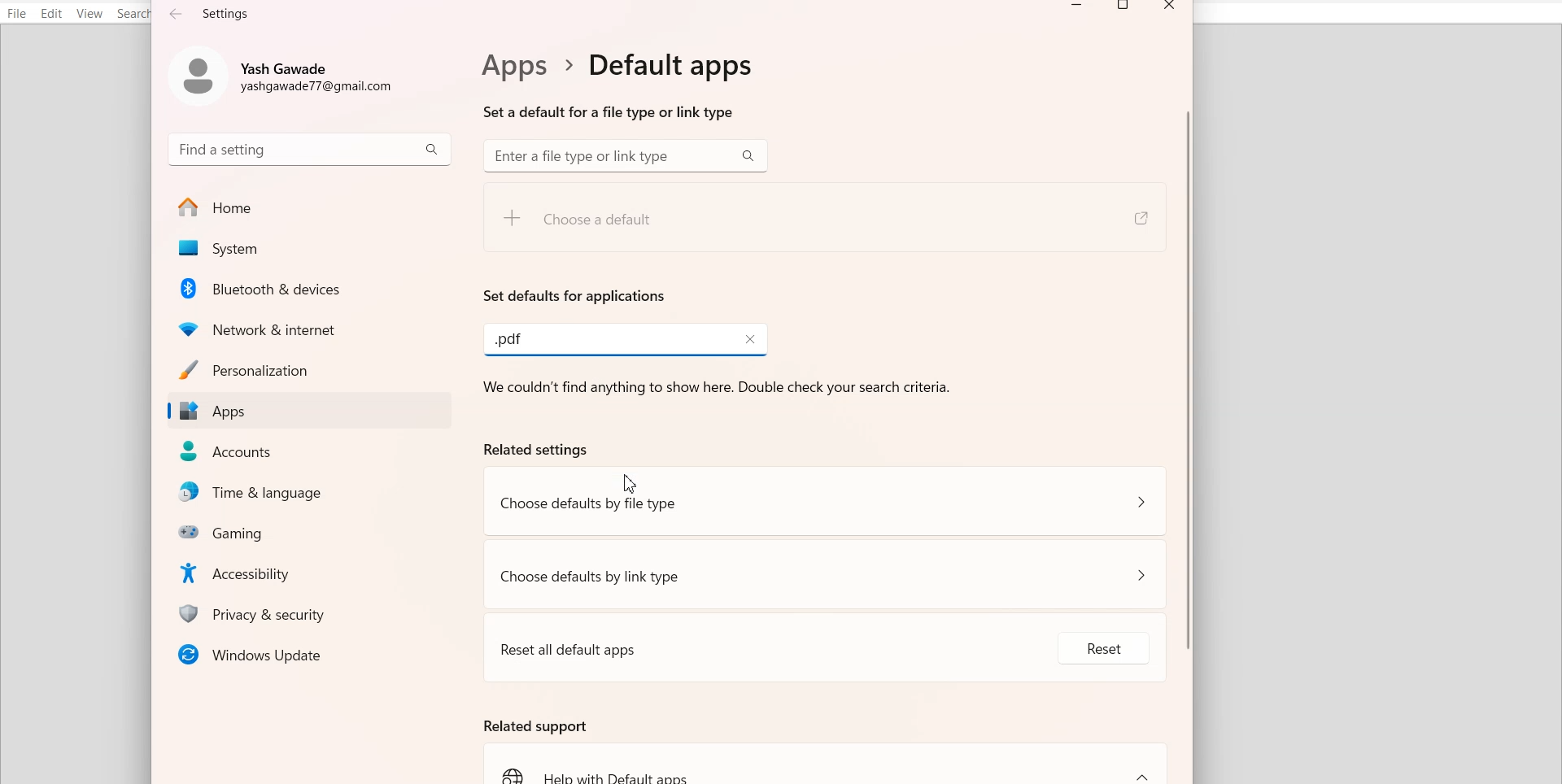 This screenshot has height=784, width=1562. Describe the element at coordinates (1169, 8) in the screenshot. I see `Close` at that location.